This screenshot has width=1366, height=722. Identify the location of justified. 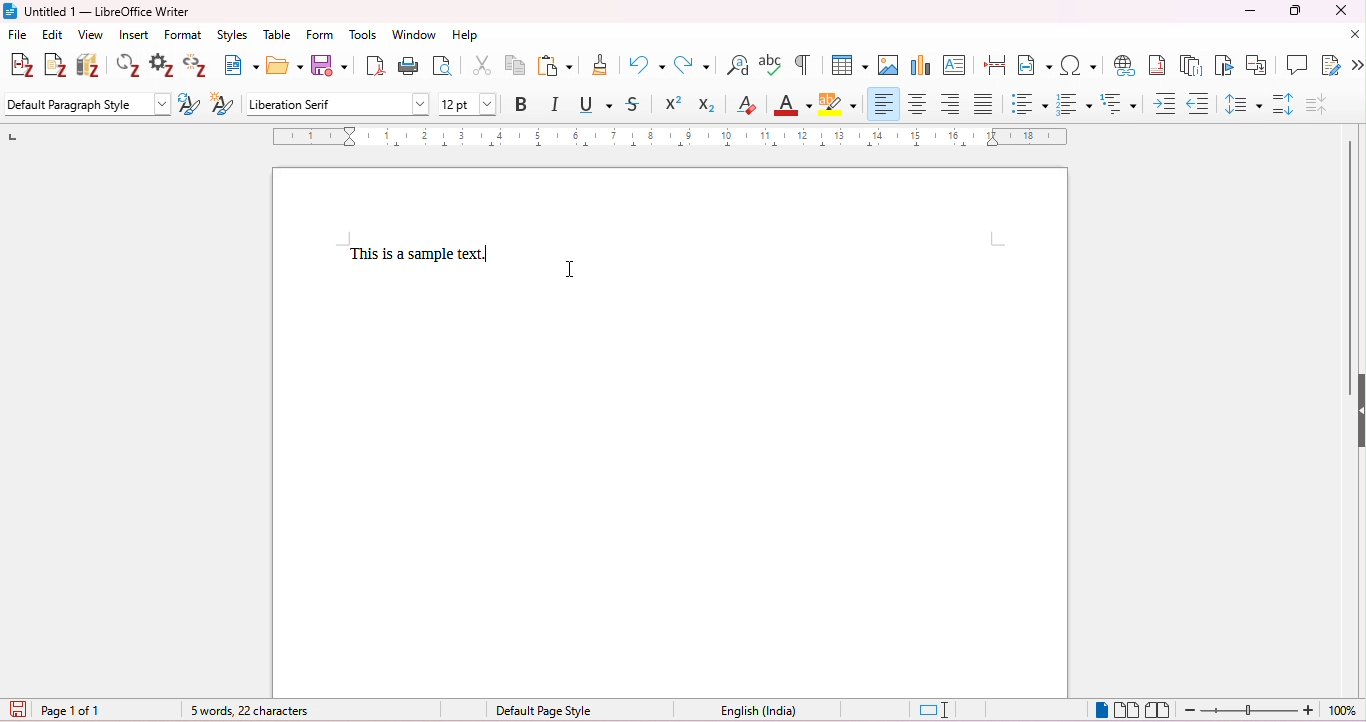
(984, 105).